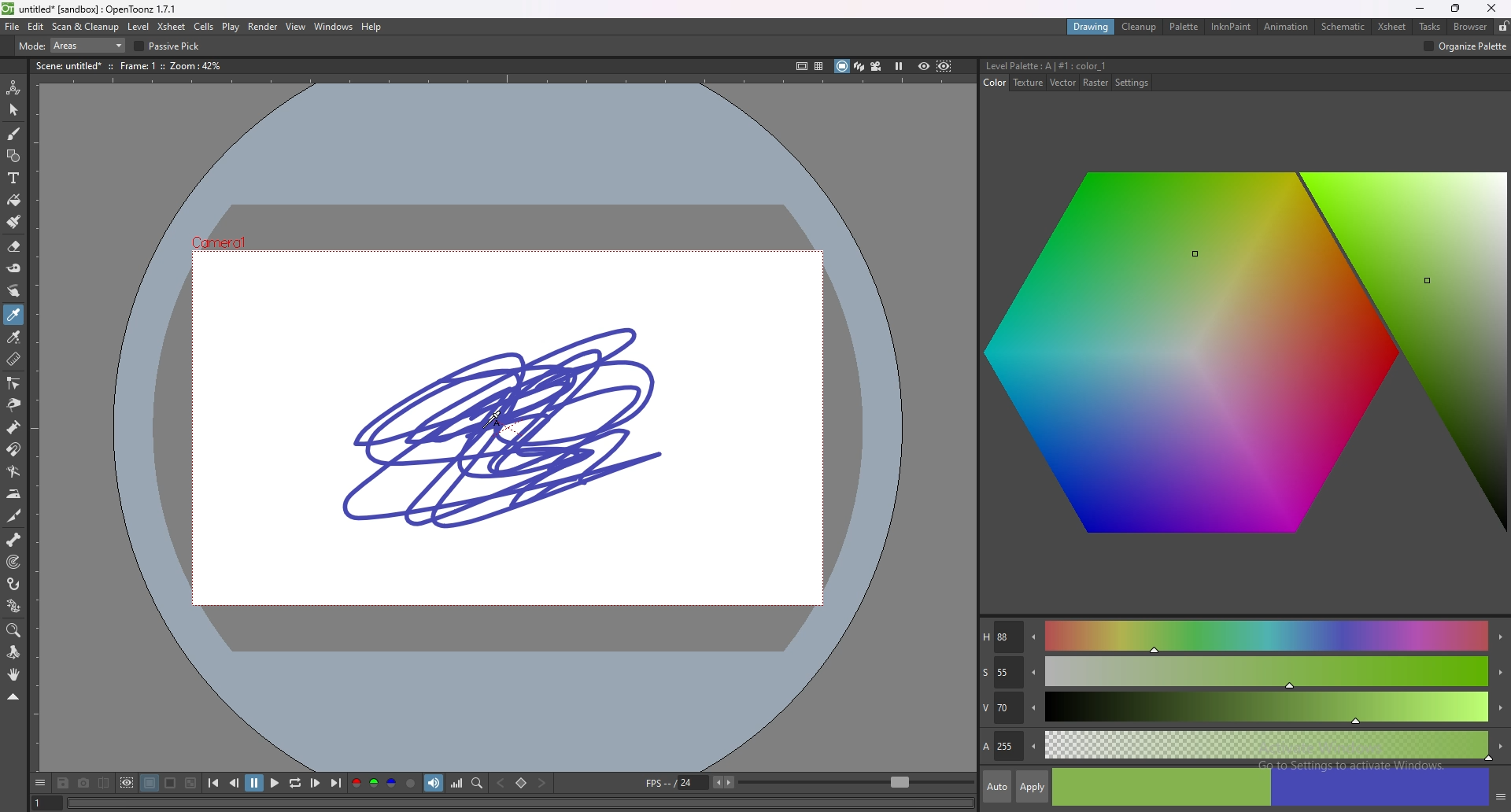 The width and height of the screenshot is (1511, 812). I want to click on save, so click(63, 783).